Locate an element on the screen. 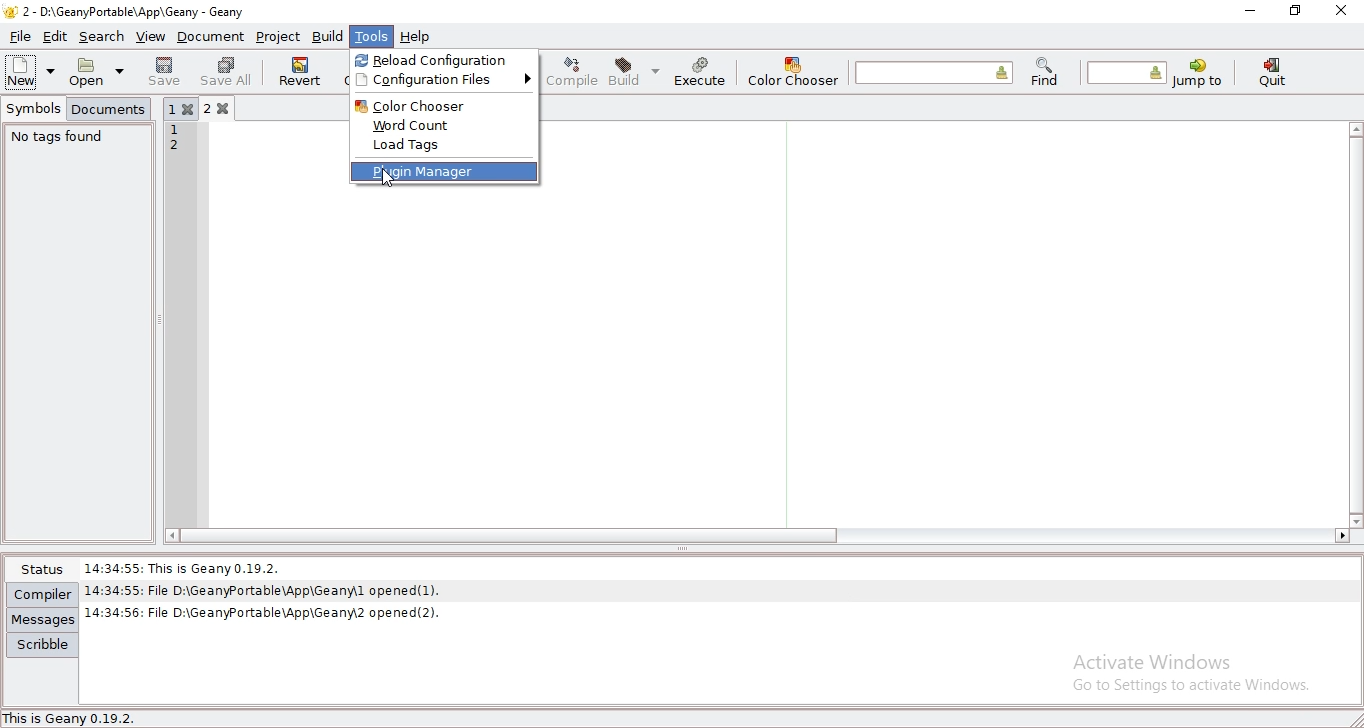 The image size is (1364, 728).  is located at coordinates (177, 108).